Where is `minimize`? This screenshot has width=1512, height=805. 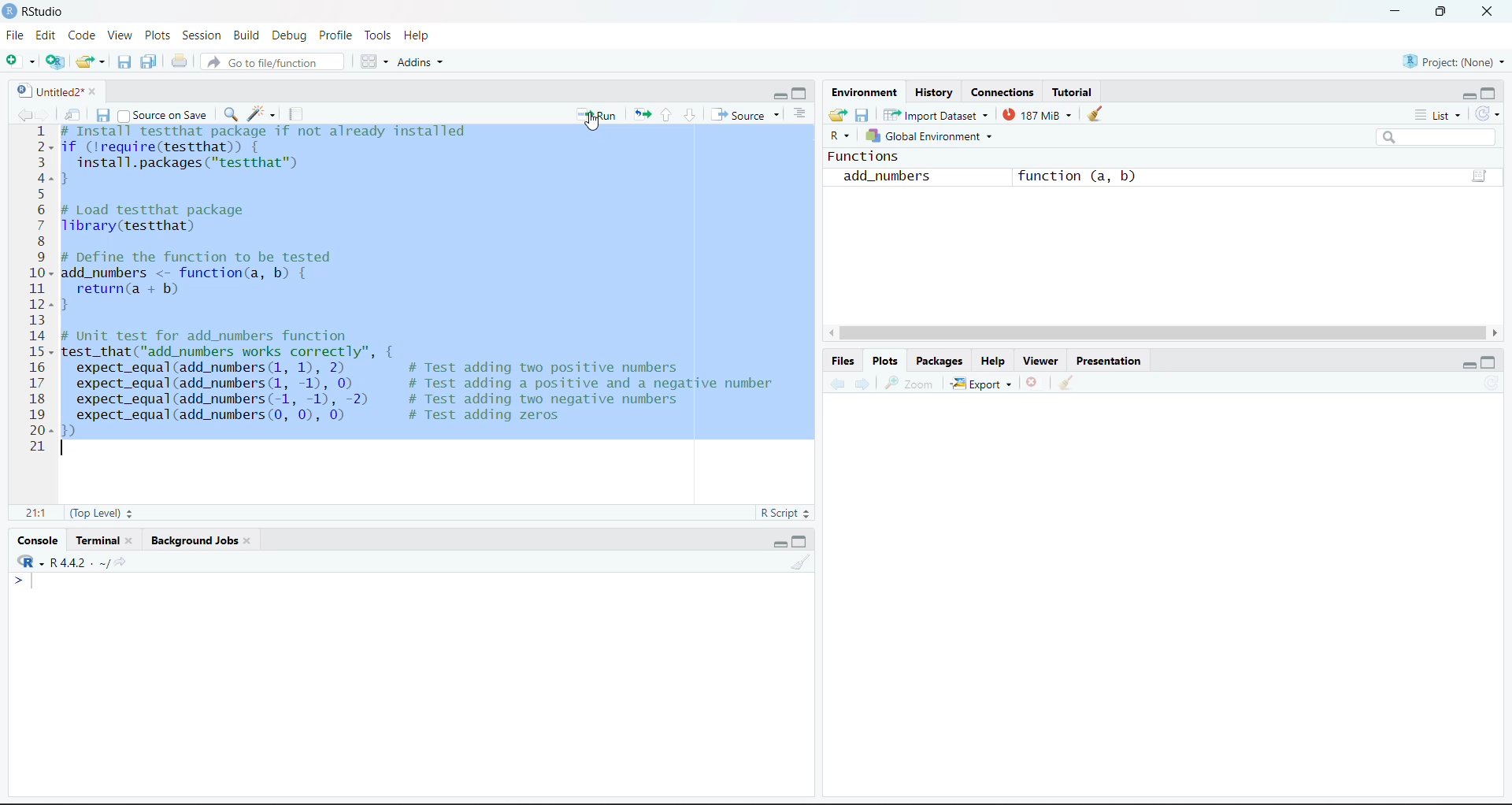
minimize is located at coordinates (1470, 363).